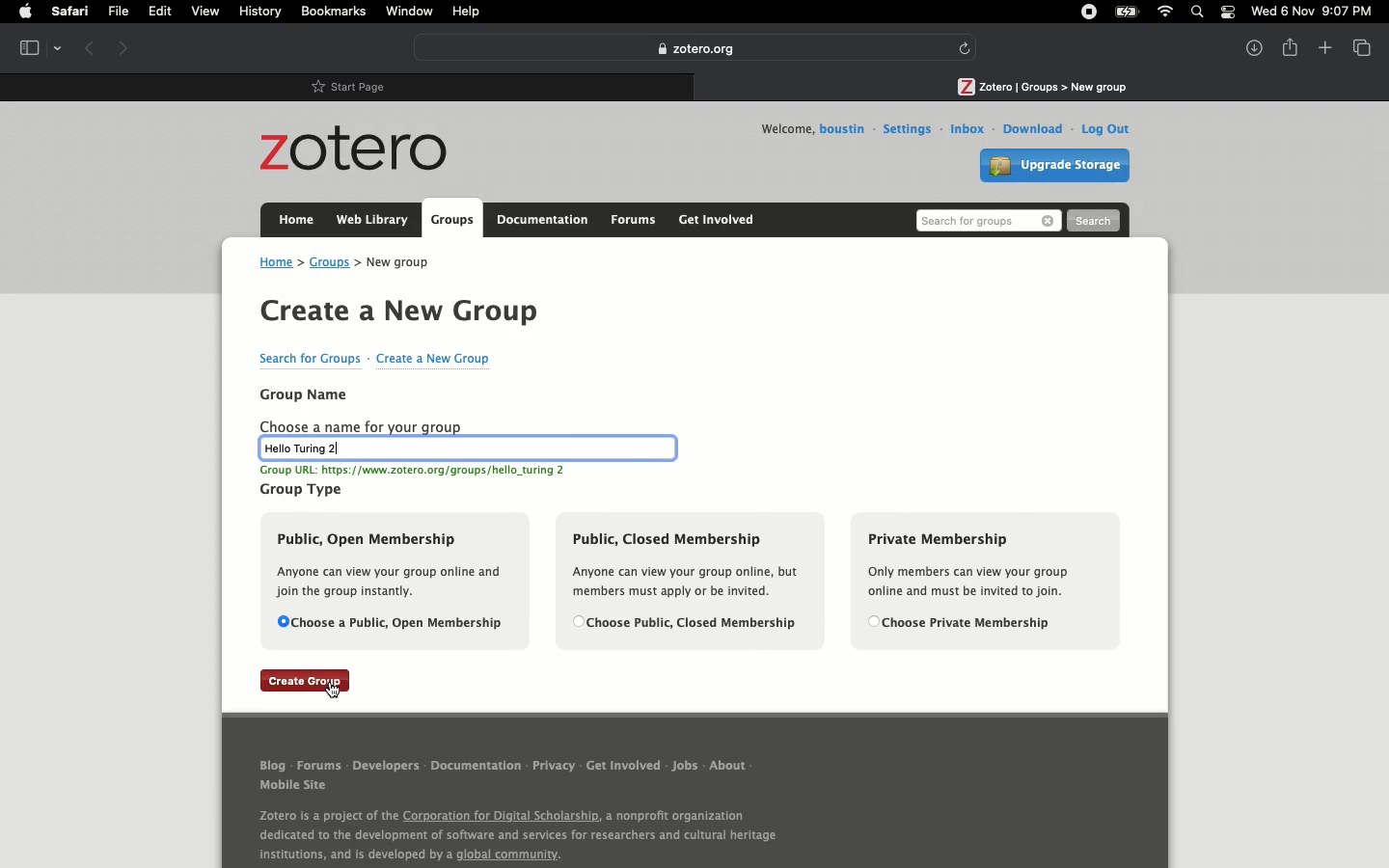 The image size is (1389, 868). What do you see at coordinates (208, 13) in the screenshot?
I see `View` at bounding box center [208, 13].